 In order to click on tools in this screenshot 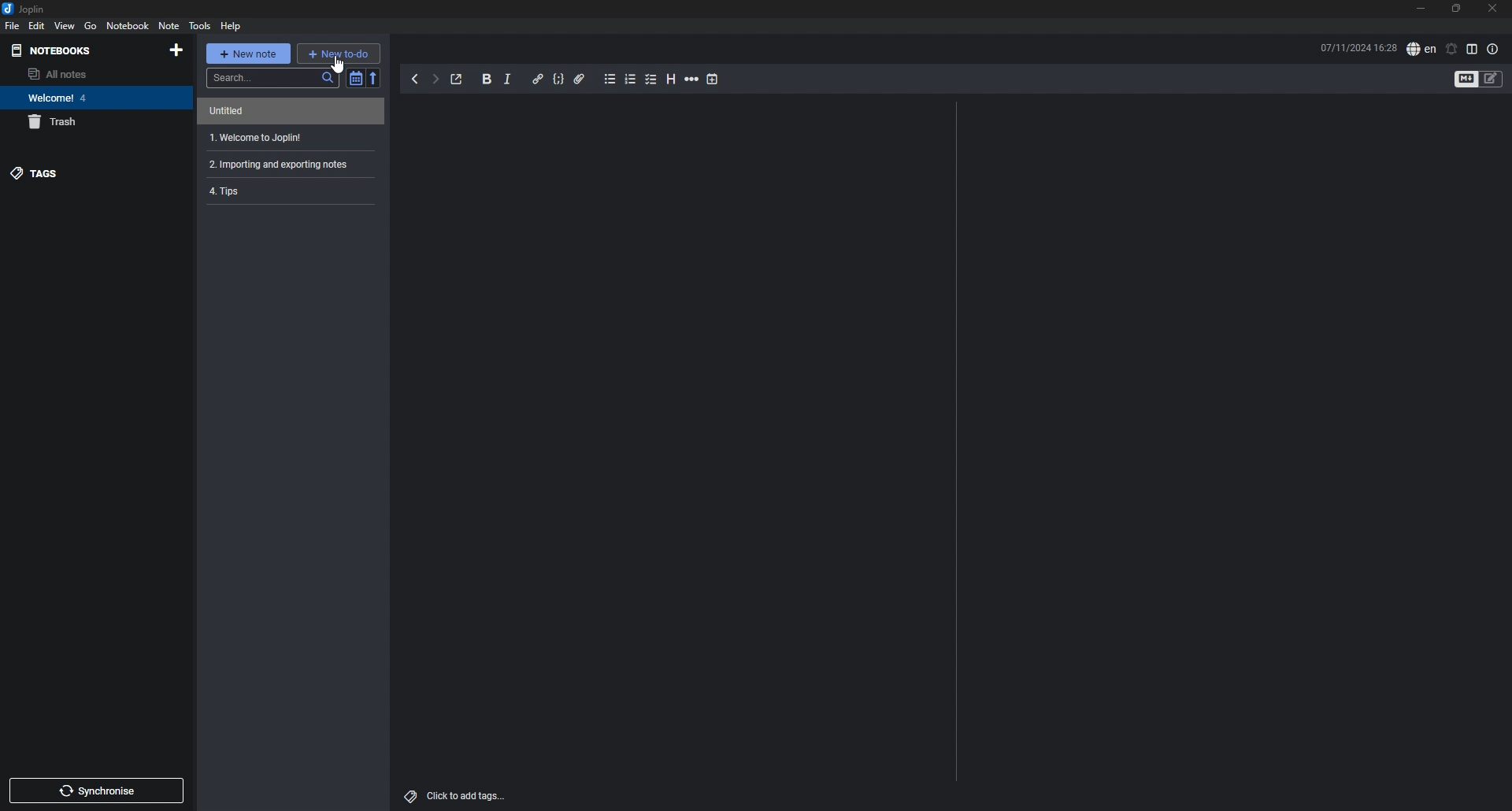, I will do `click(199, 26)`.